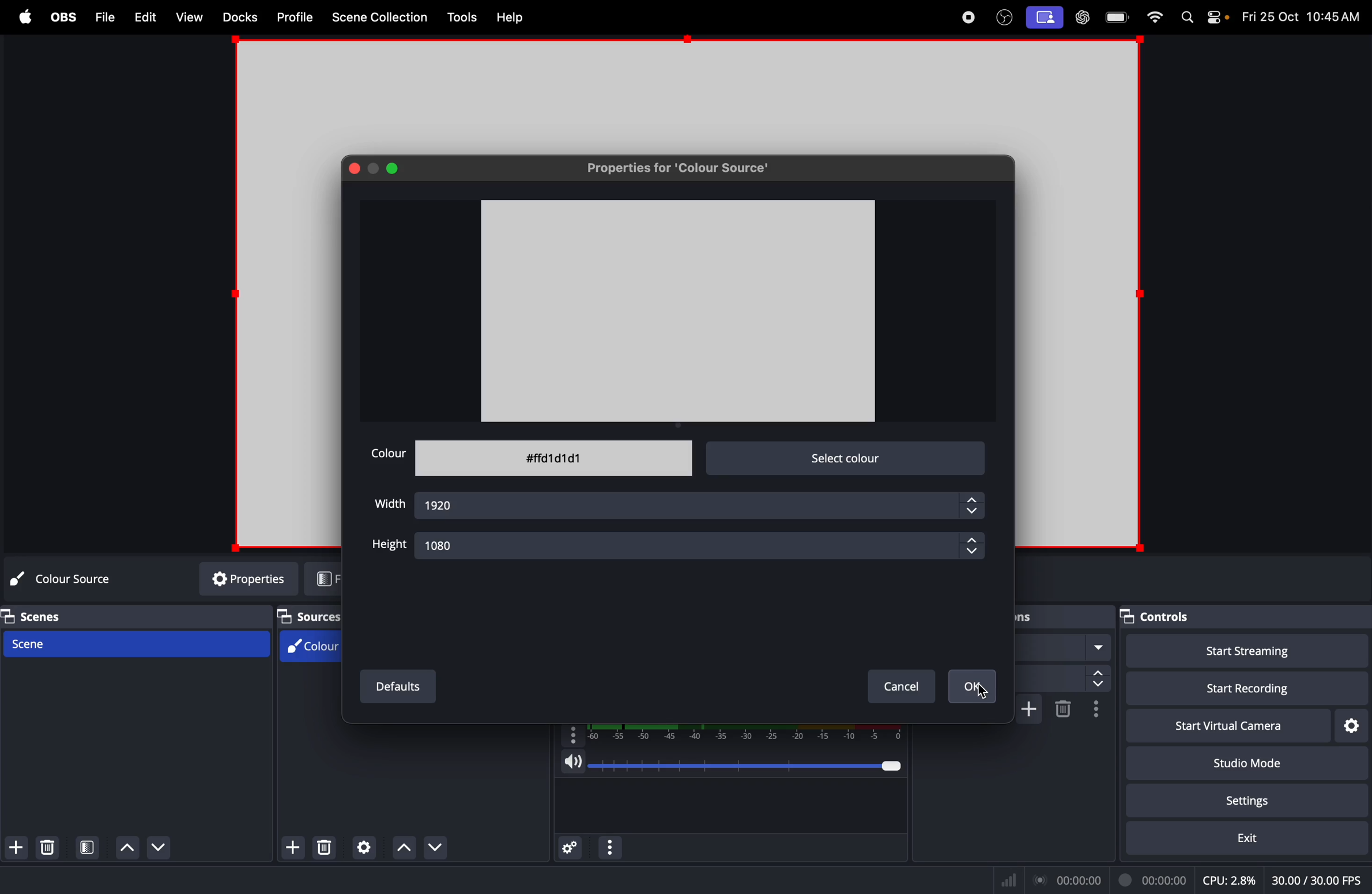 This screenshot has width=1372, height=894. What do you see at coordinates (237, 17) in the screenshot?
I see `Docks` at bounding box center [237, 17].